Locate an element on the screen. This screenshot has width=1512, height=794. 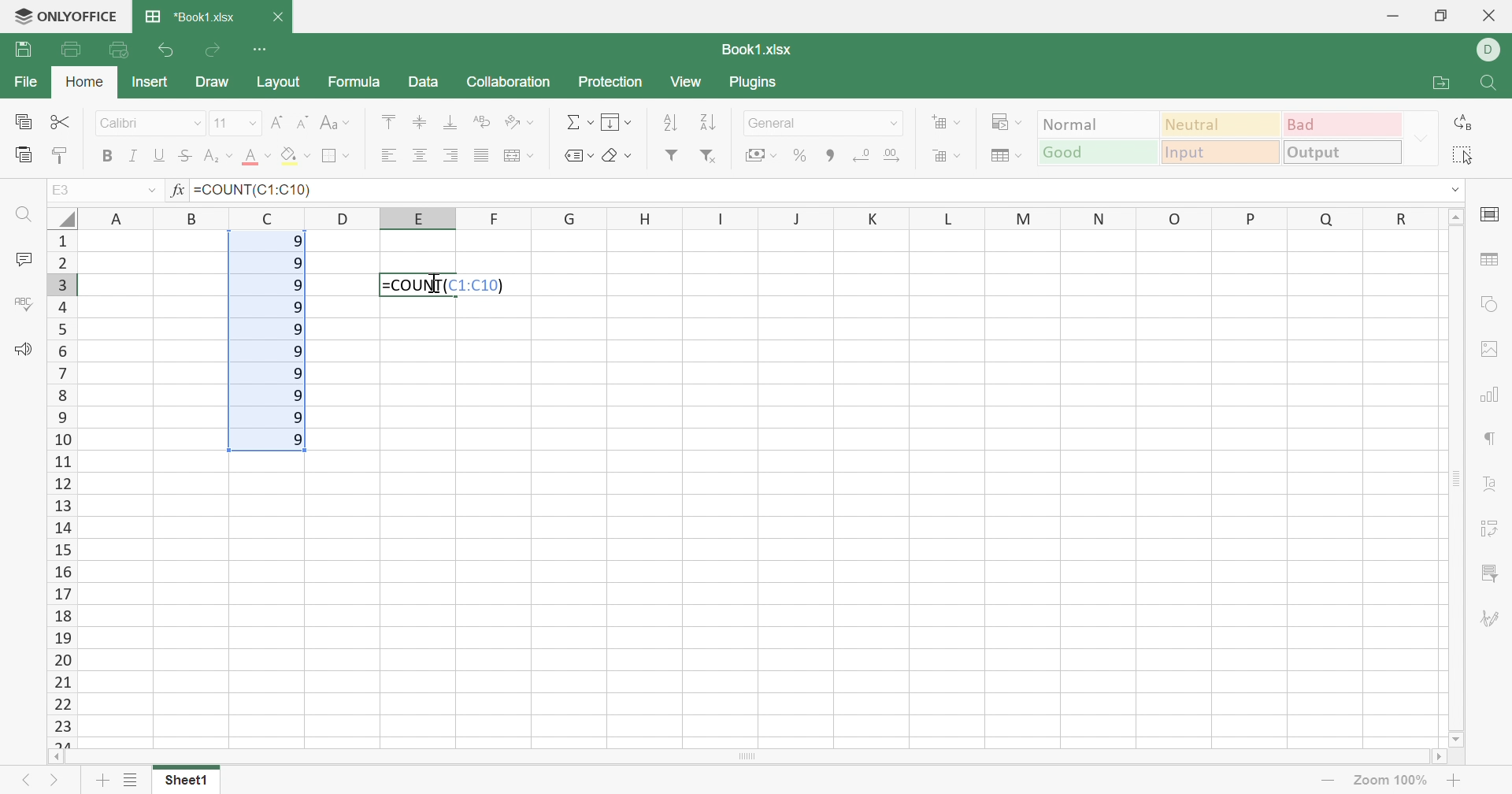
Sheet1 is located at coordinates (191, 781).